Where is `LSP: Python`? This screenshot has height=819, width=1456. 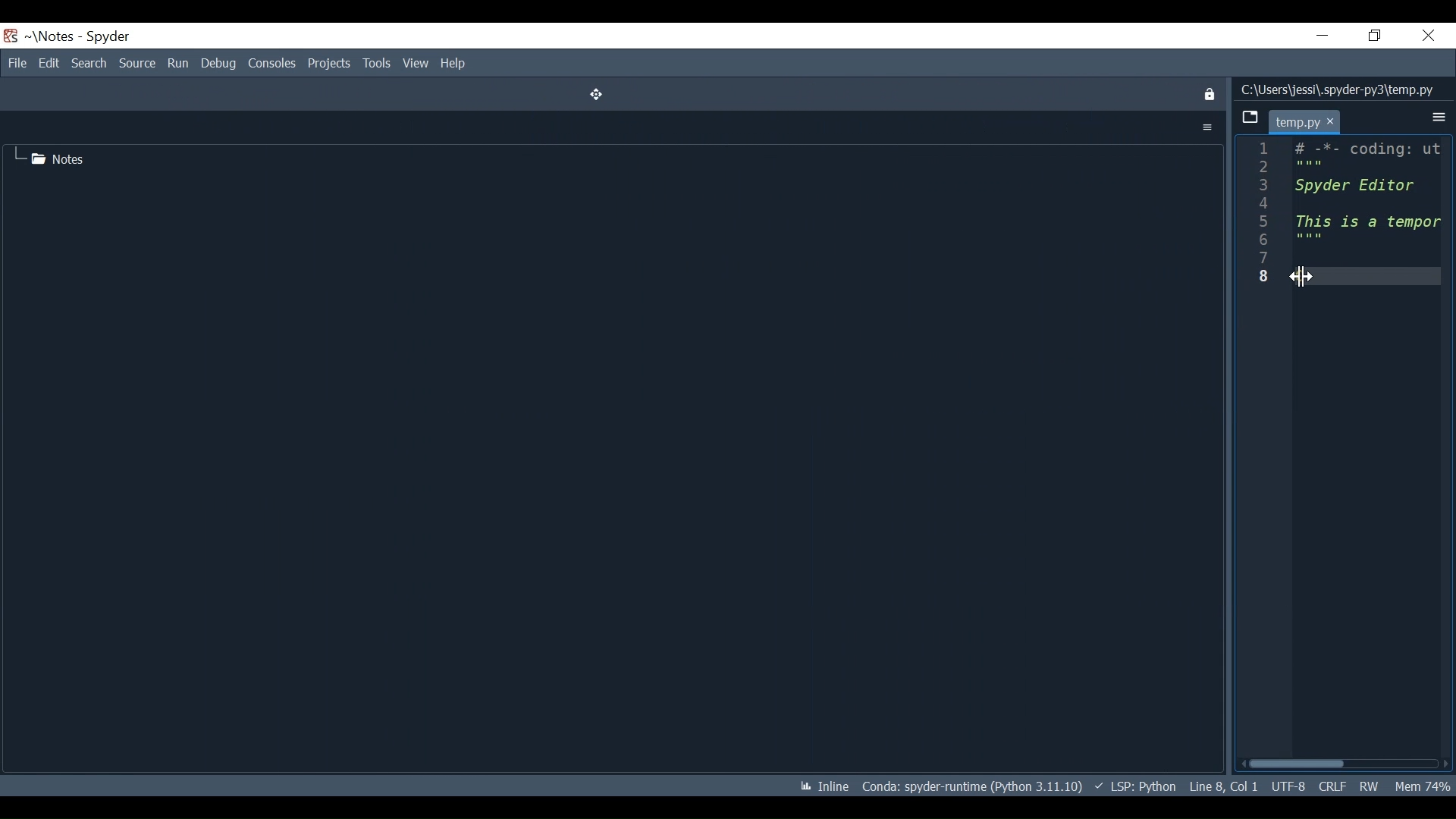 LSP: Python is located at coordinates (1134, 786).